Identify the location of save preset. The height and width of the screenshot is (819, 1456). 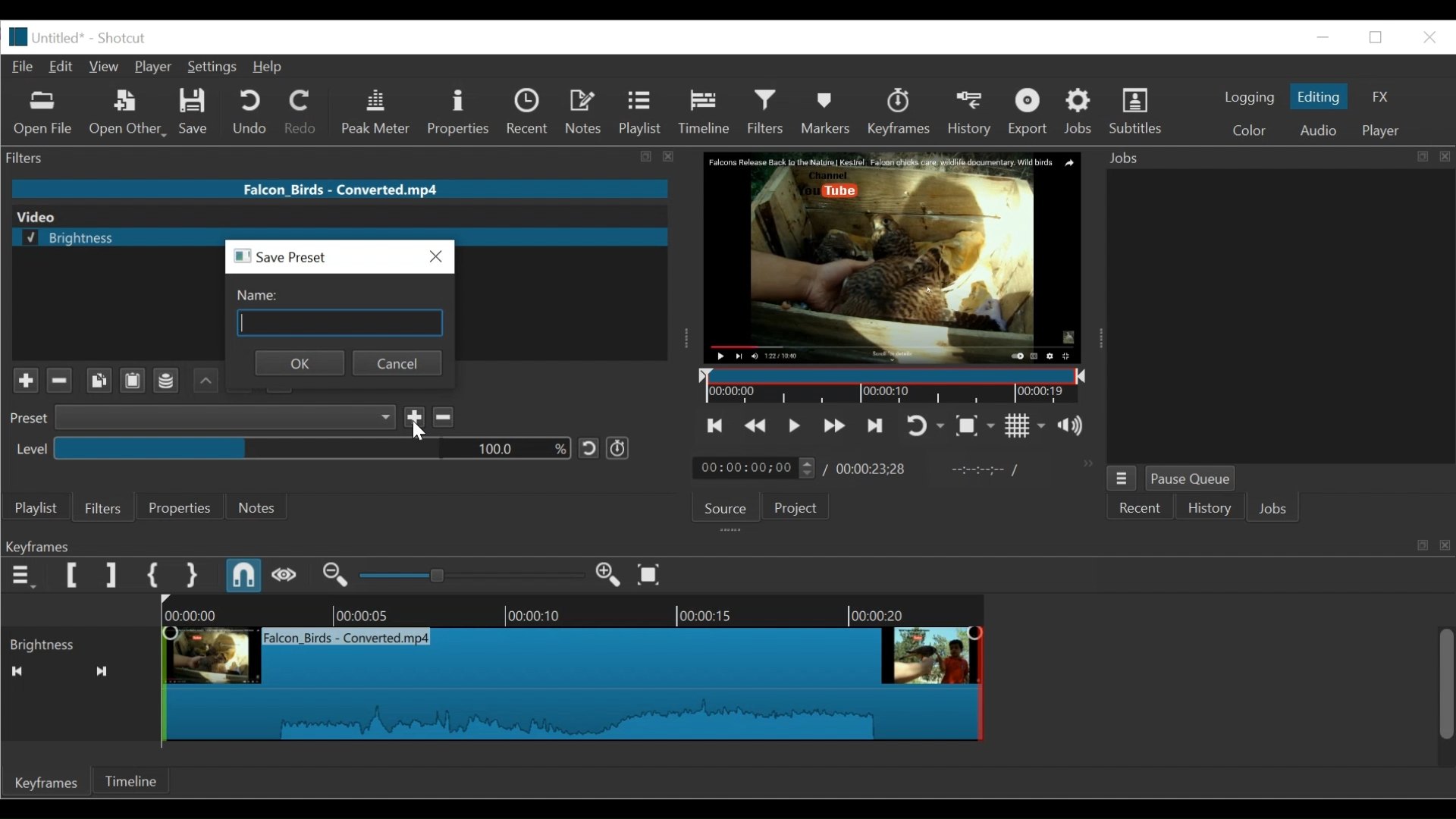
(287, 259).